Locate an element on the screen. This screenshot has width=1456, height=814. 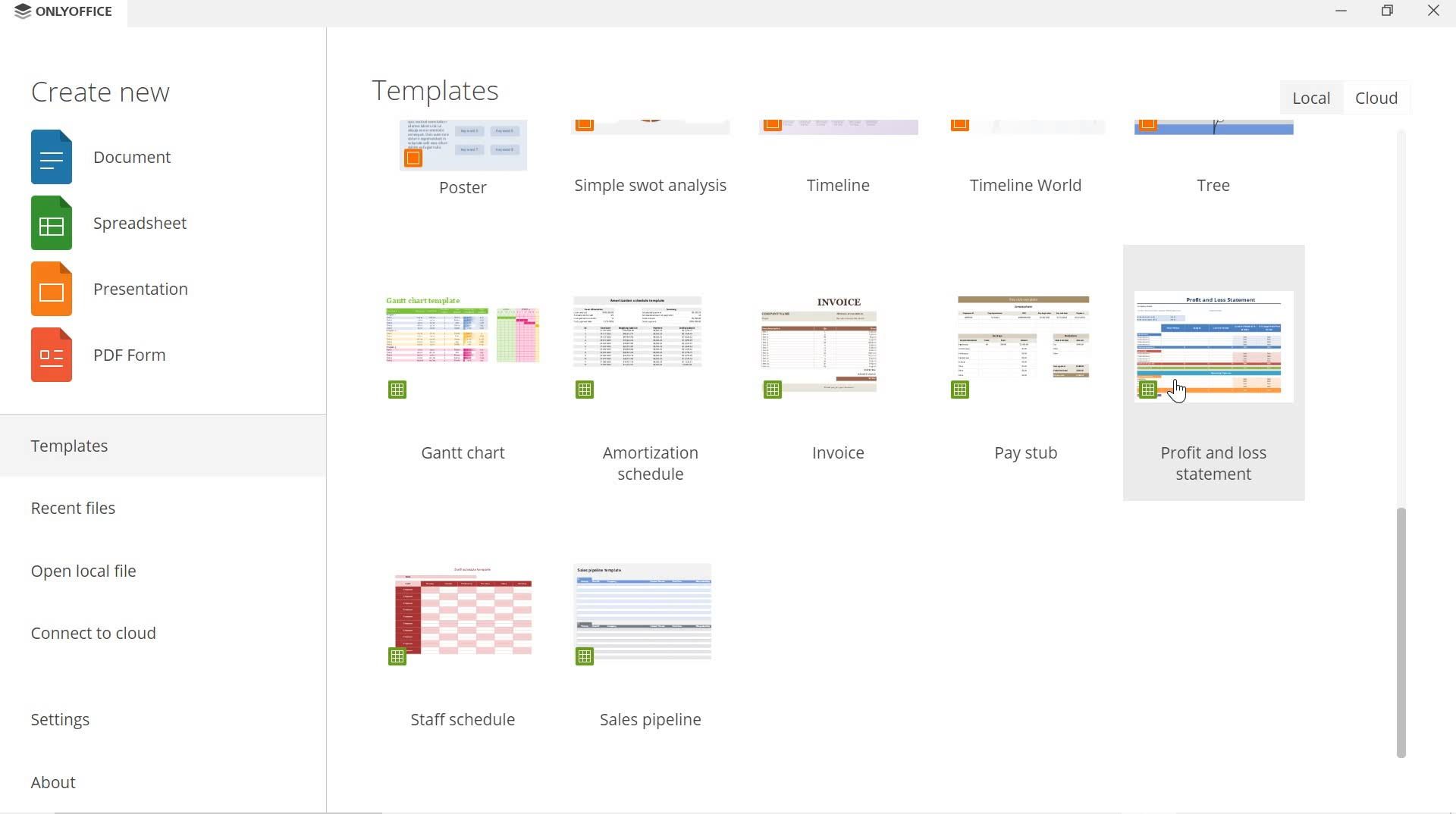
Staff schedule is located at coordinates (466, 722).